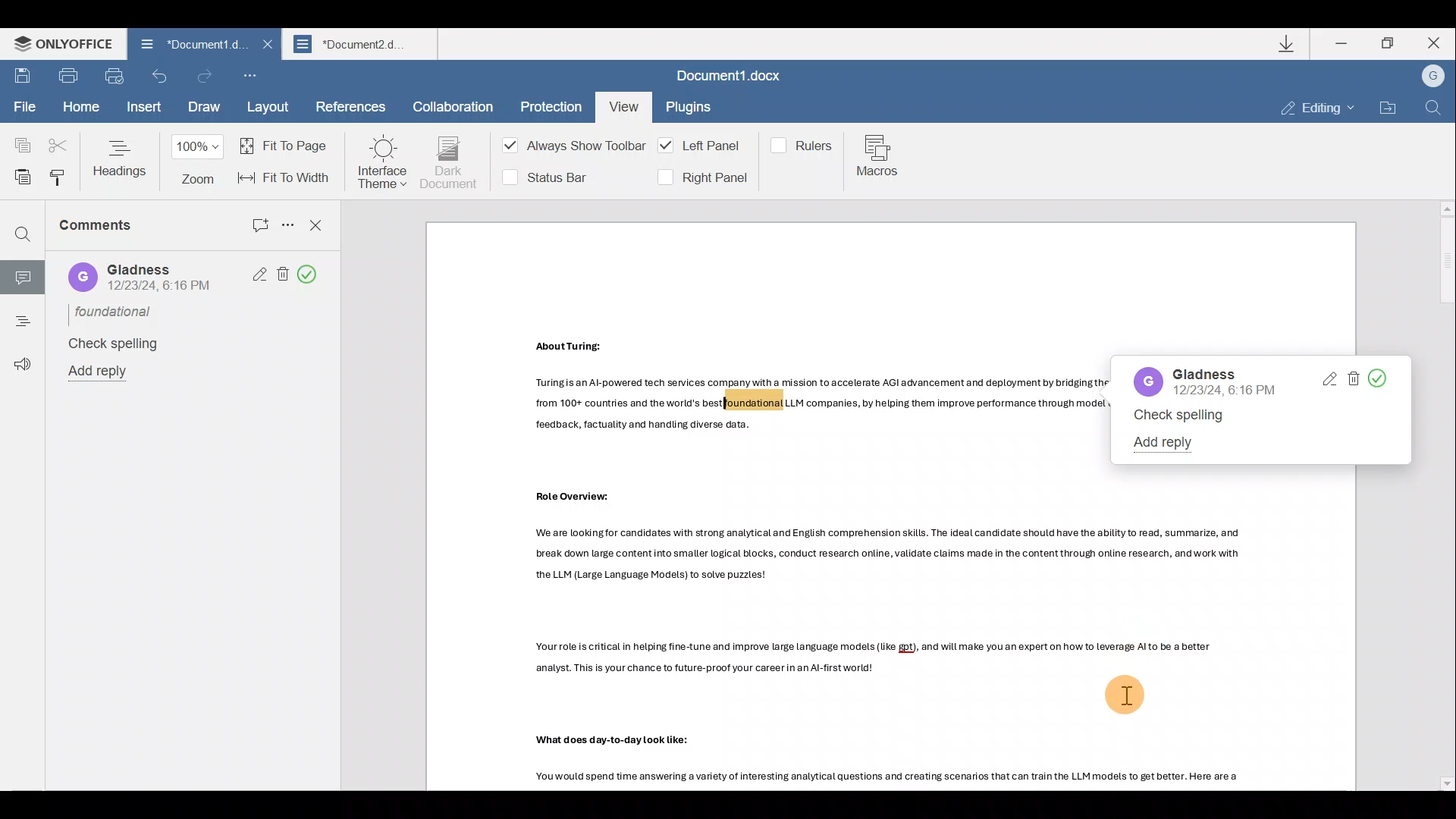 The height and width of the screenshot is (819, 1456). What do you see at coordinates (887, 554) in the screenshot?
I see `` at bounding box center [887, 554].